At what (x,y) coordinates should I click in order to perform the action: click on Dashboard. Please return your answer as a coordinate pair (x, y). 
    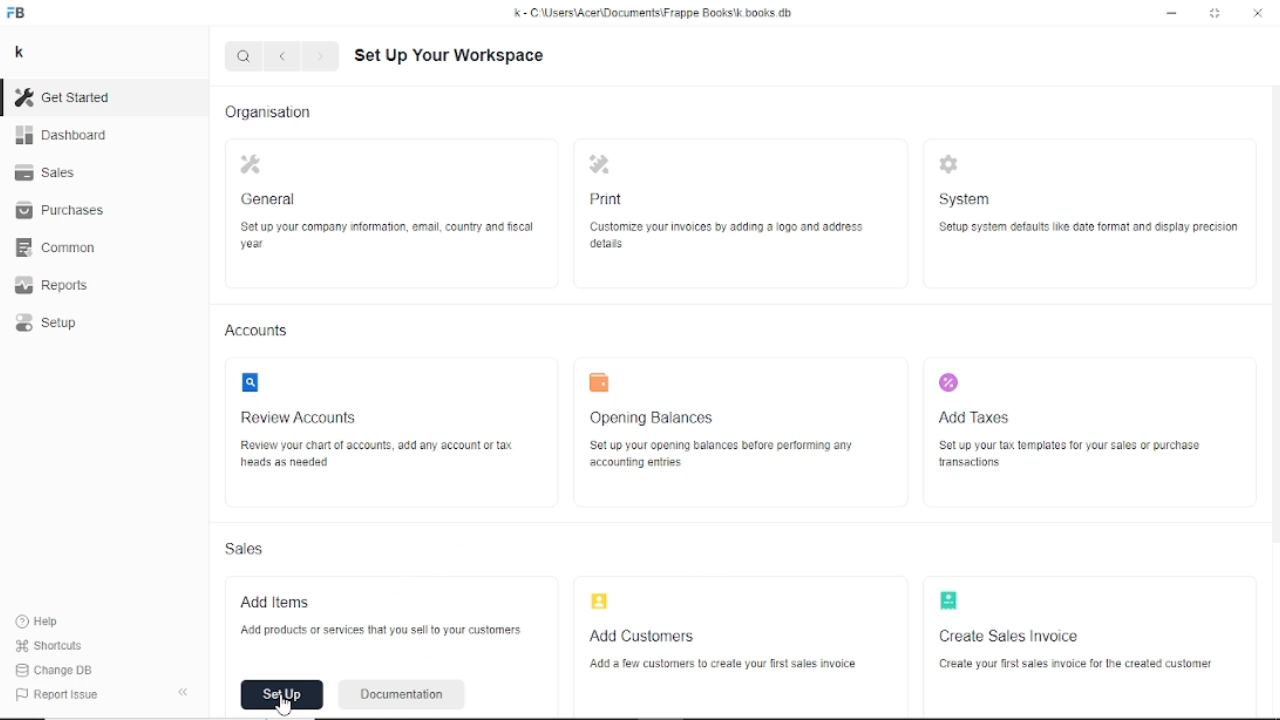
    Looking at the image, I should click on (62, 136).